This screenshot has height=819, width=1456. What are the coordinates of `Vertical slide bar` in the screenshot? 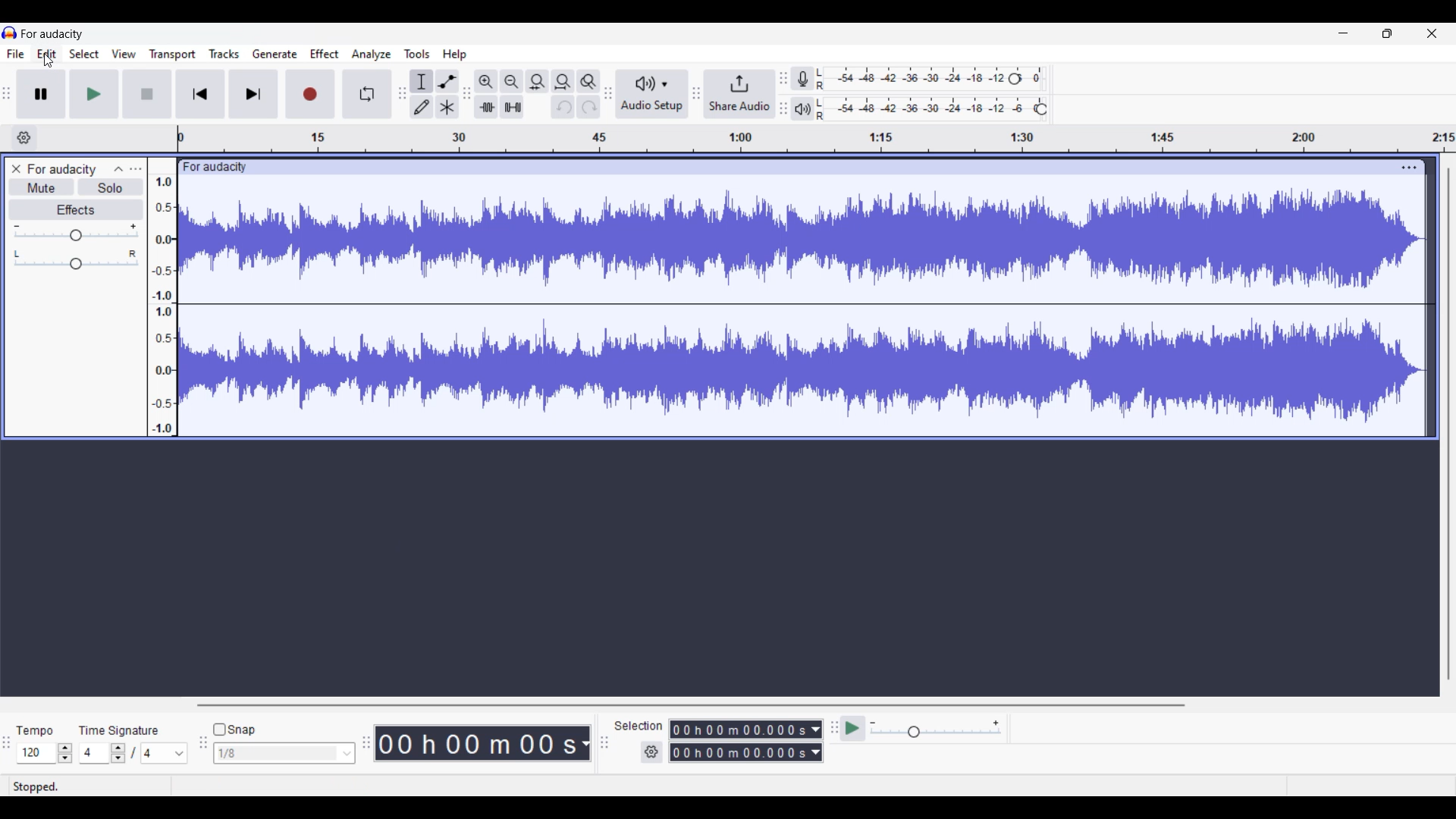 It's located at (1448, 425).